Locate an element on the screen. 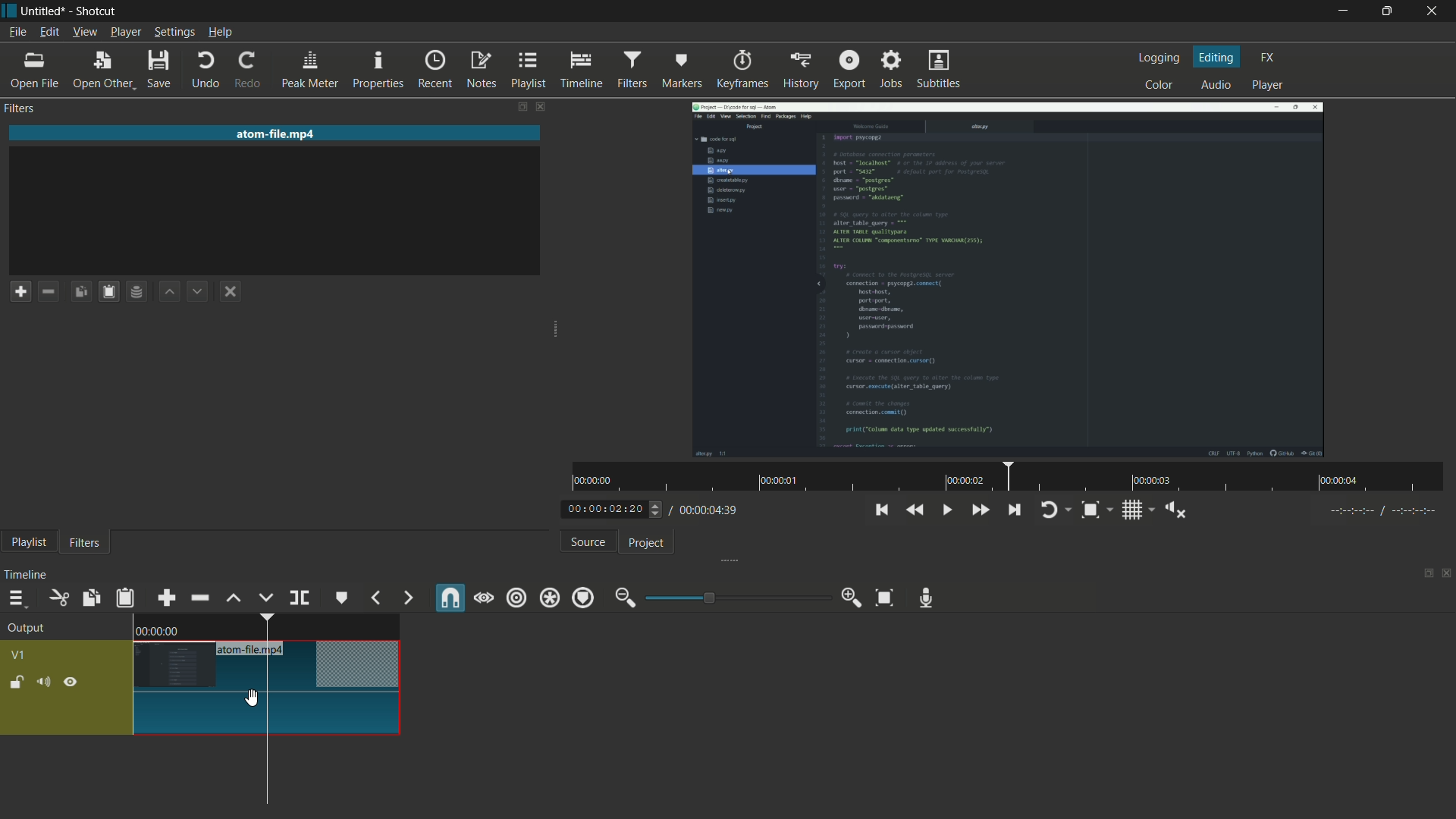 This screenshot has width=1456, height=819. v1 is located at coordinates (17, 657).